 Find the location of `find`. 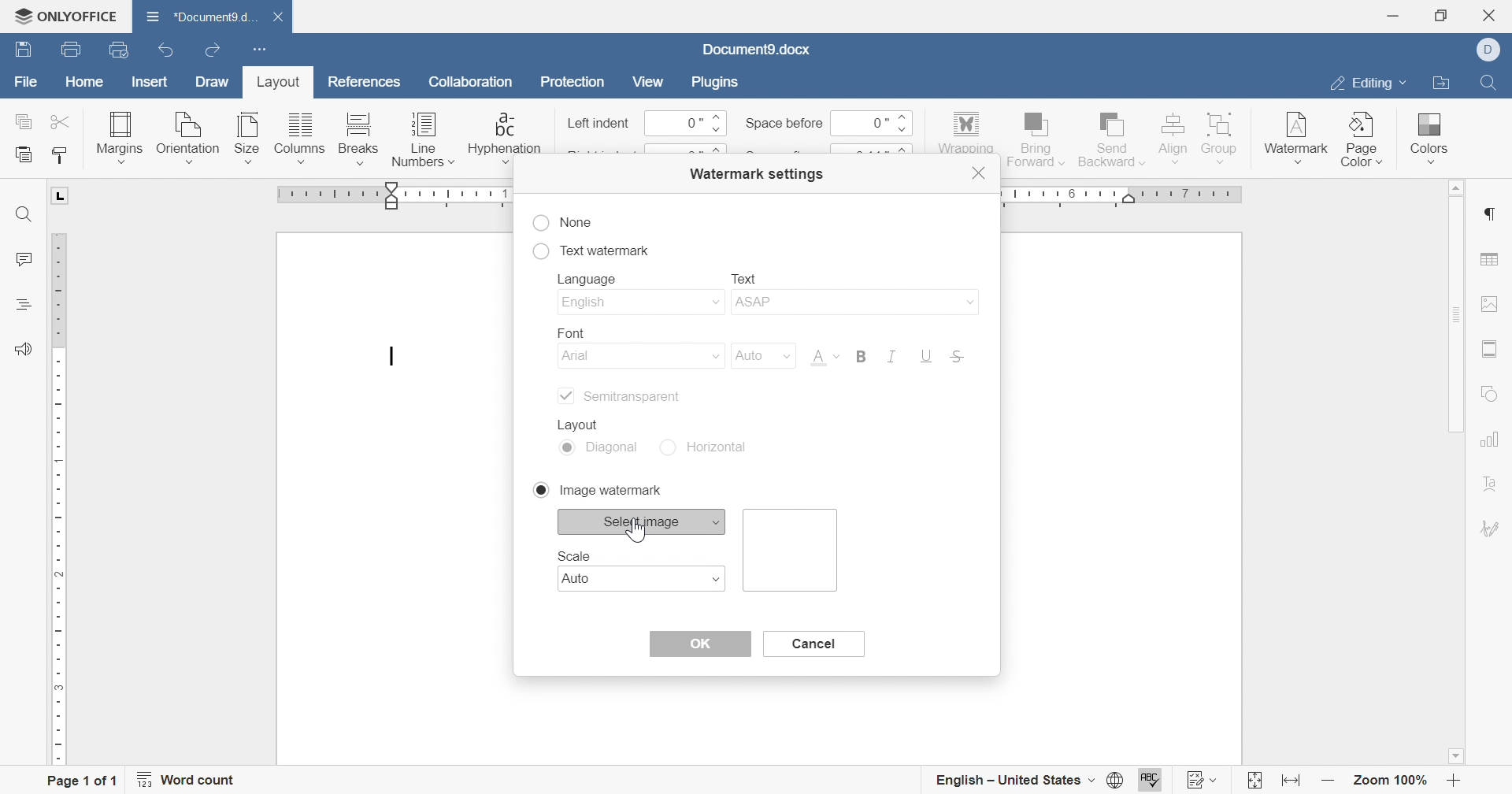

find is located at coordinates (1487, 80).